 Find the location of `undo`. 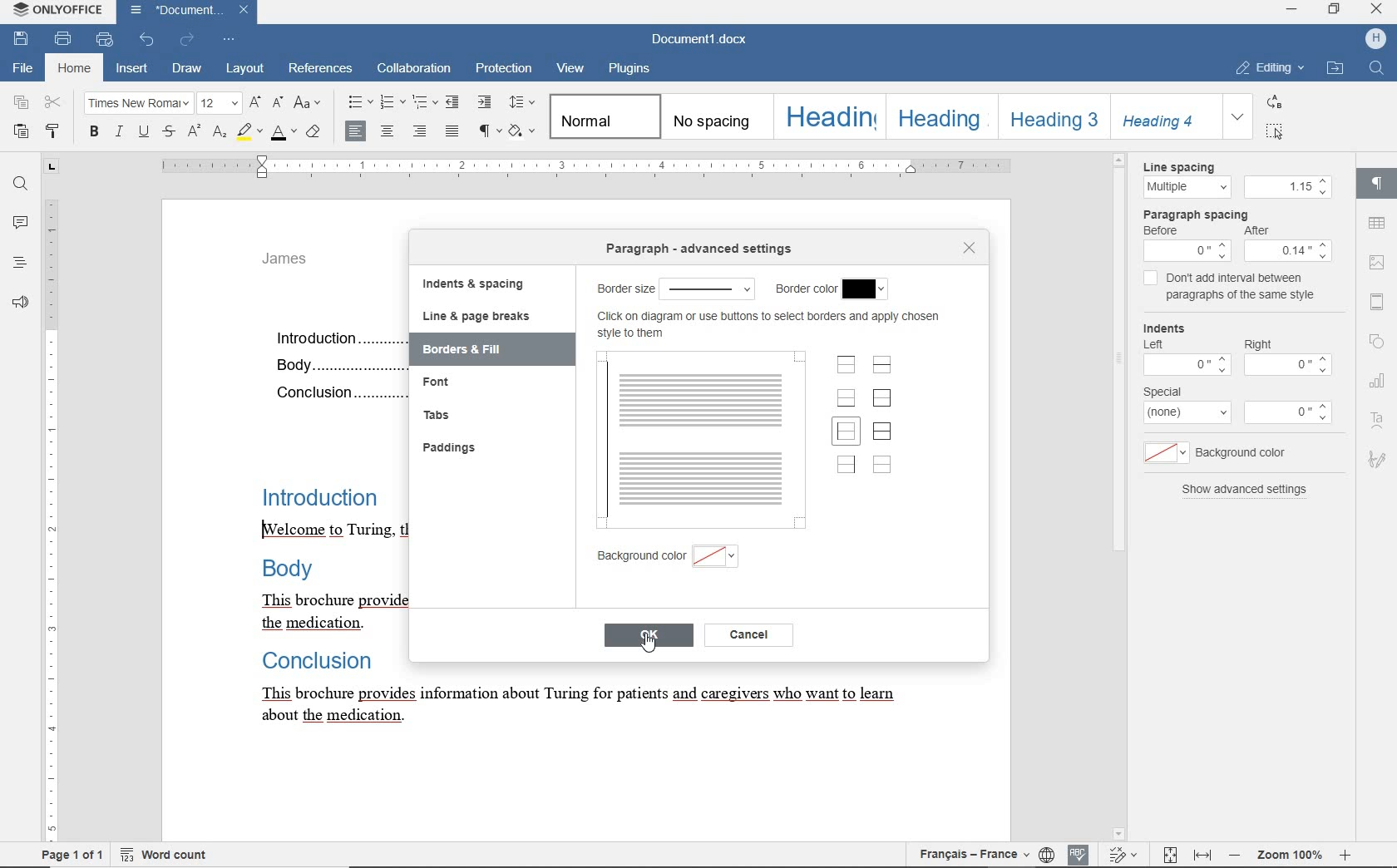

undo is located at coordinates (144, 40).